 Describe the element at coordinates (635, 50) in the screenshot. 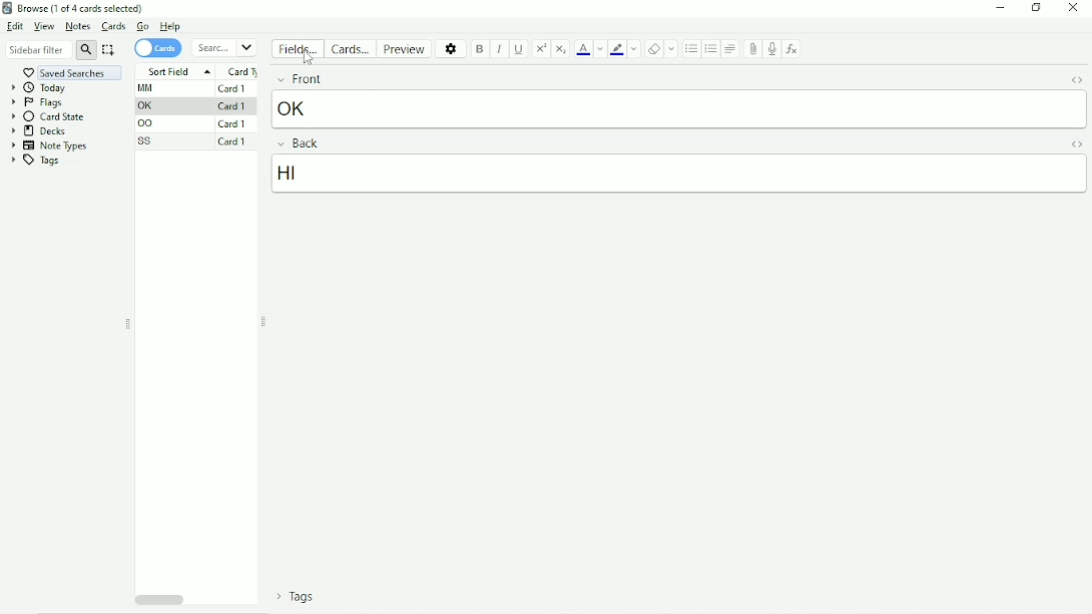

I see `Change color` at that location.